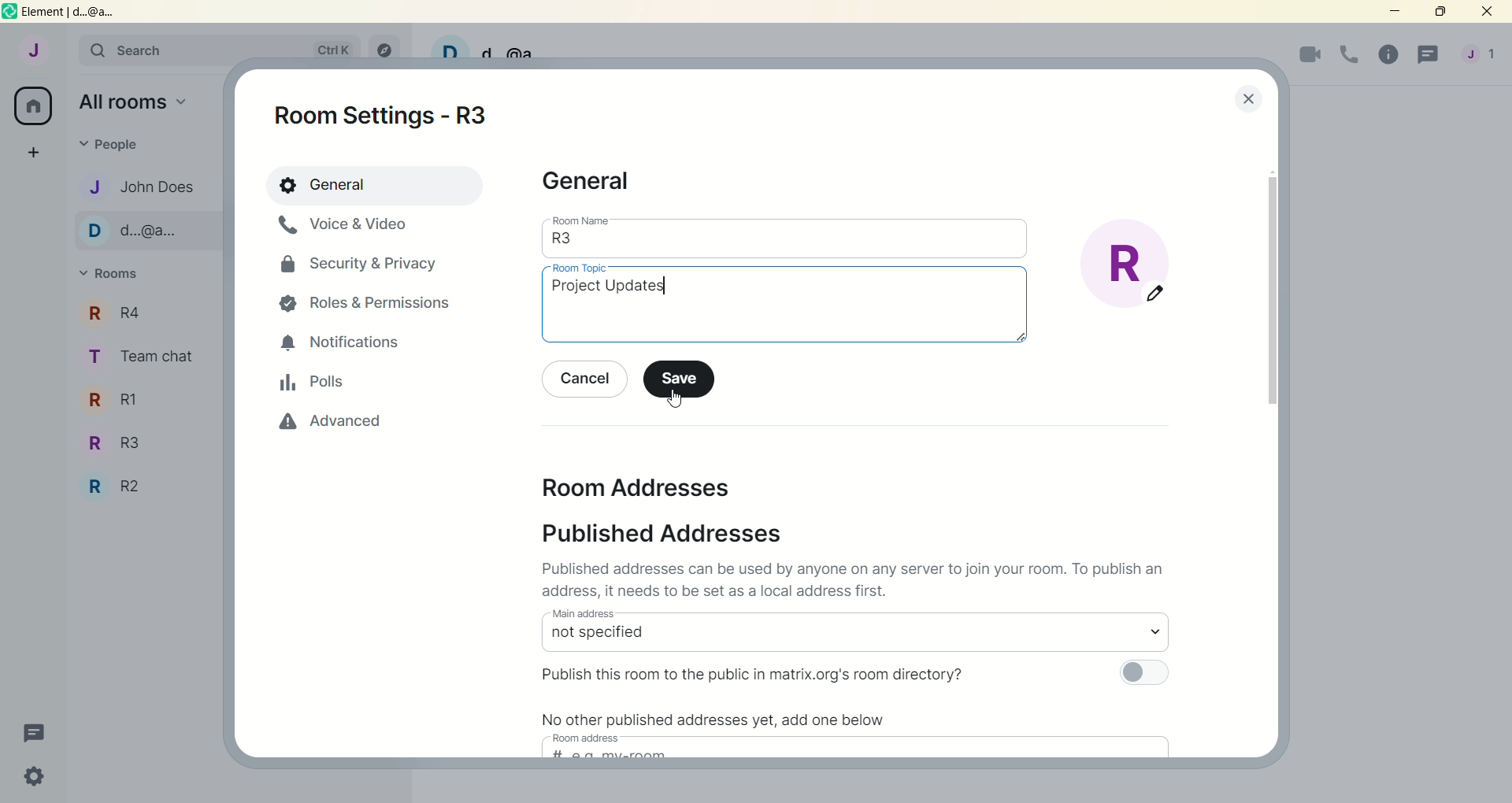 The width and height of the screenshot is (1512, 803). Describe the element at coordinates (365, 302) in the screenshot. I see `roles and permissions` at that location.